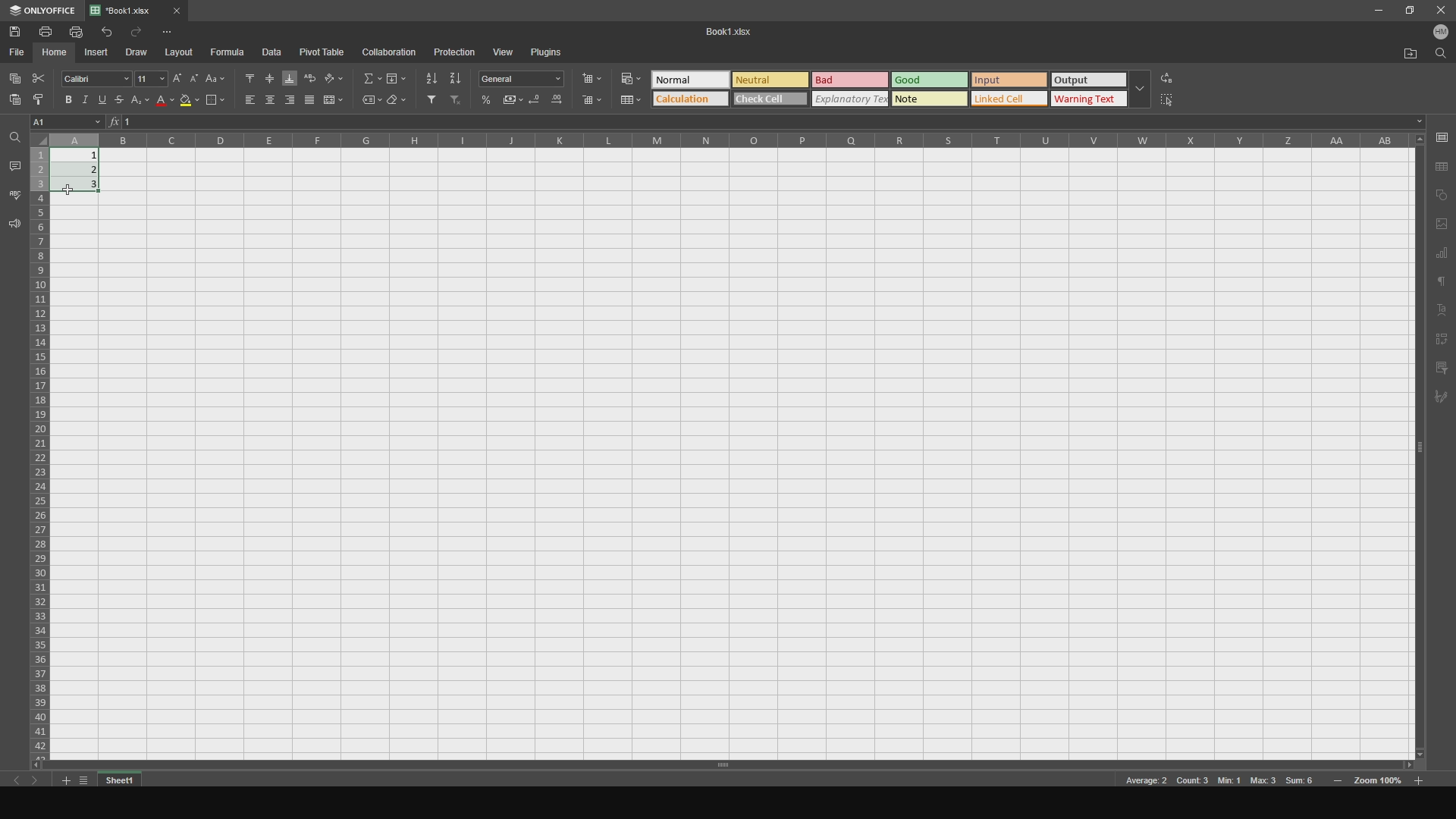 This screenshot has height=819, width=1456. Describe the element at coordinates (1377, 12) in the screenshot. I see `minimize` at that location.